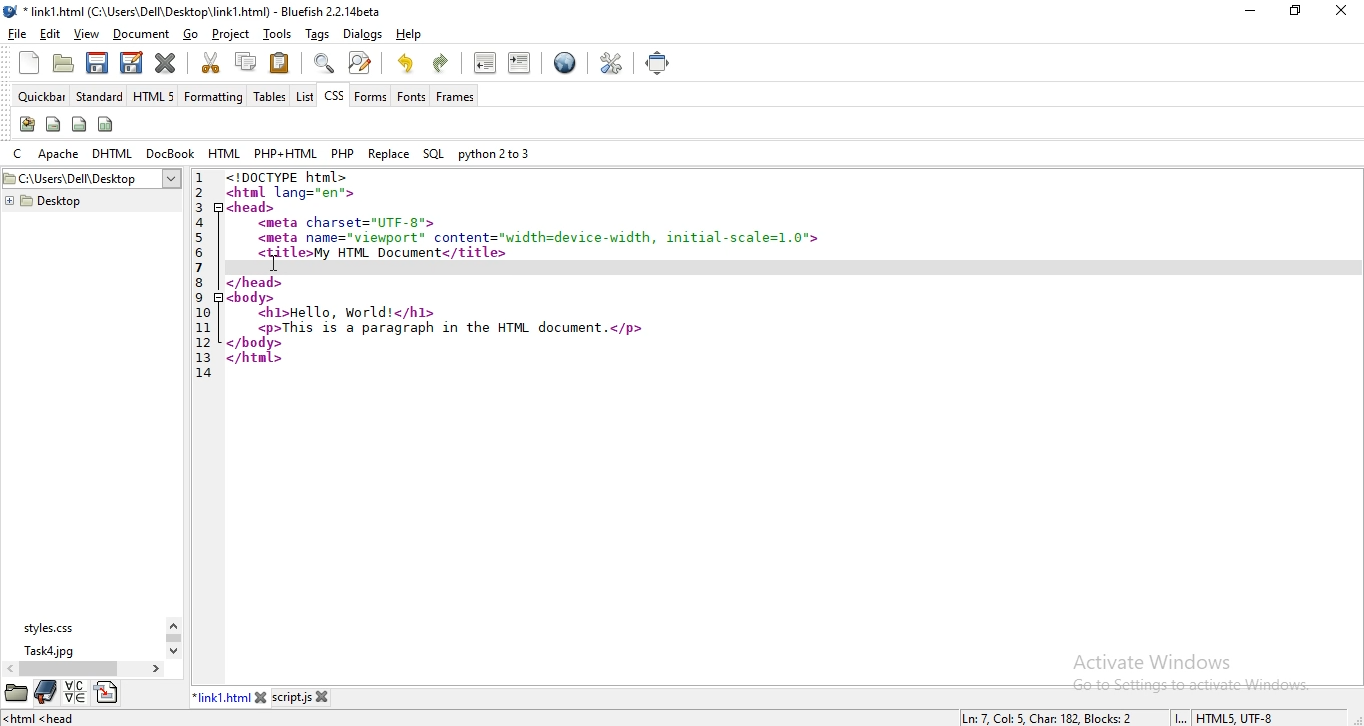  What do you see at coordinates (199, 298) in the screenshot?
I see `9` at bounding box center [199, 298].